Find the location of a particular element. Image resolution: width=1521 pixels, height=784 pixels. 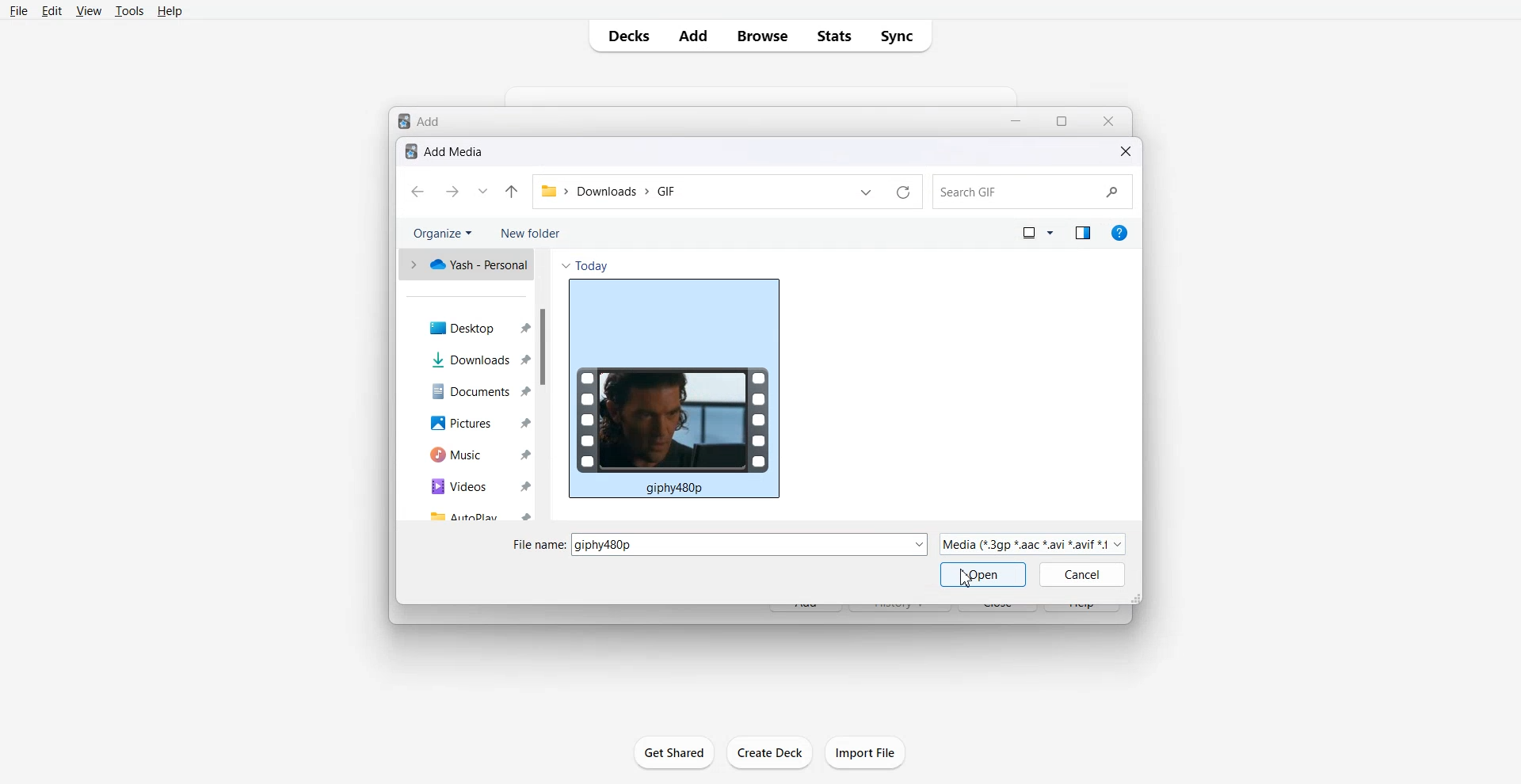

Recent file is located at coordinates (483, 193).